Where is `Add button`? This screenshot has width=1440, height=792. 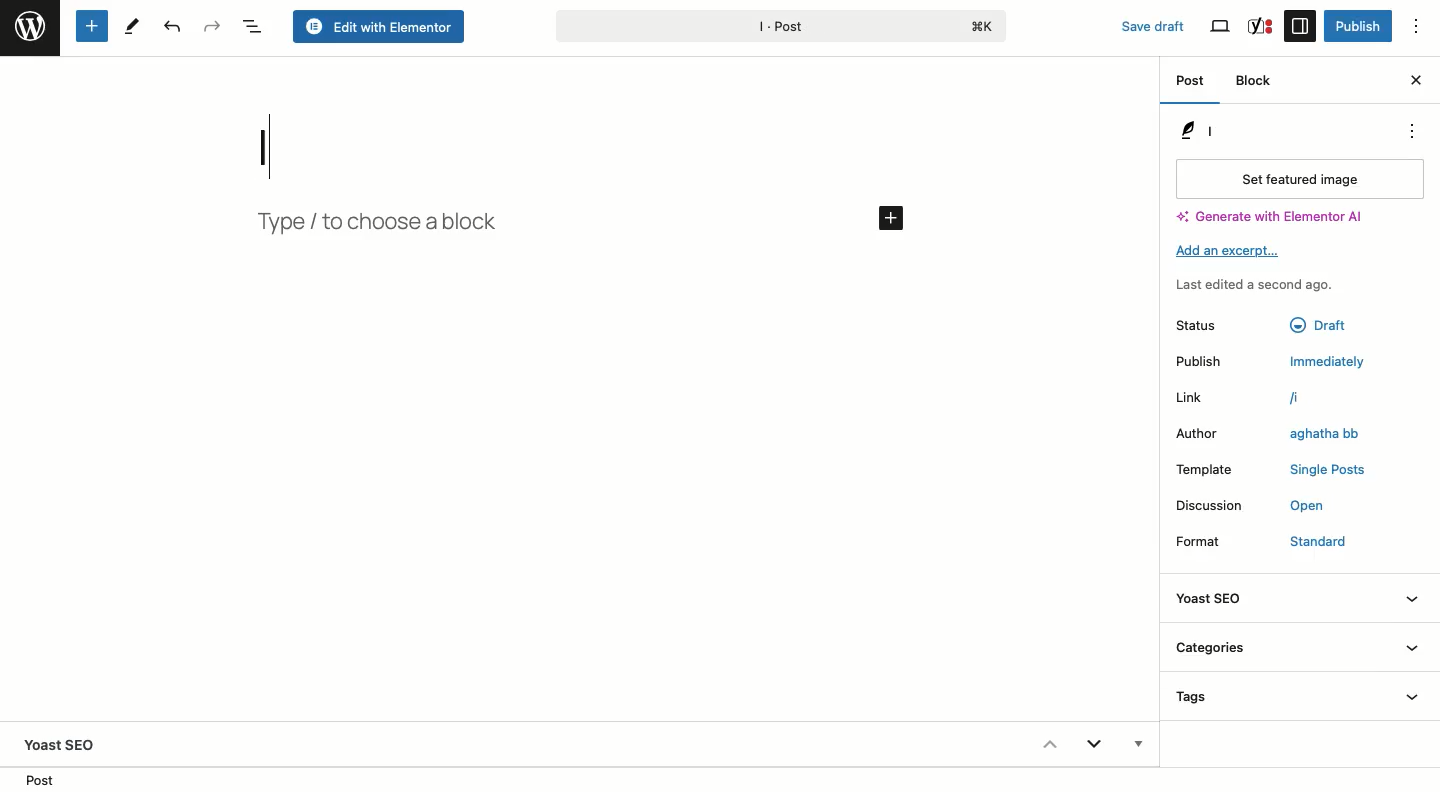 Add button is located at coordinates (889, 217).